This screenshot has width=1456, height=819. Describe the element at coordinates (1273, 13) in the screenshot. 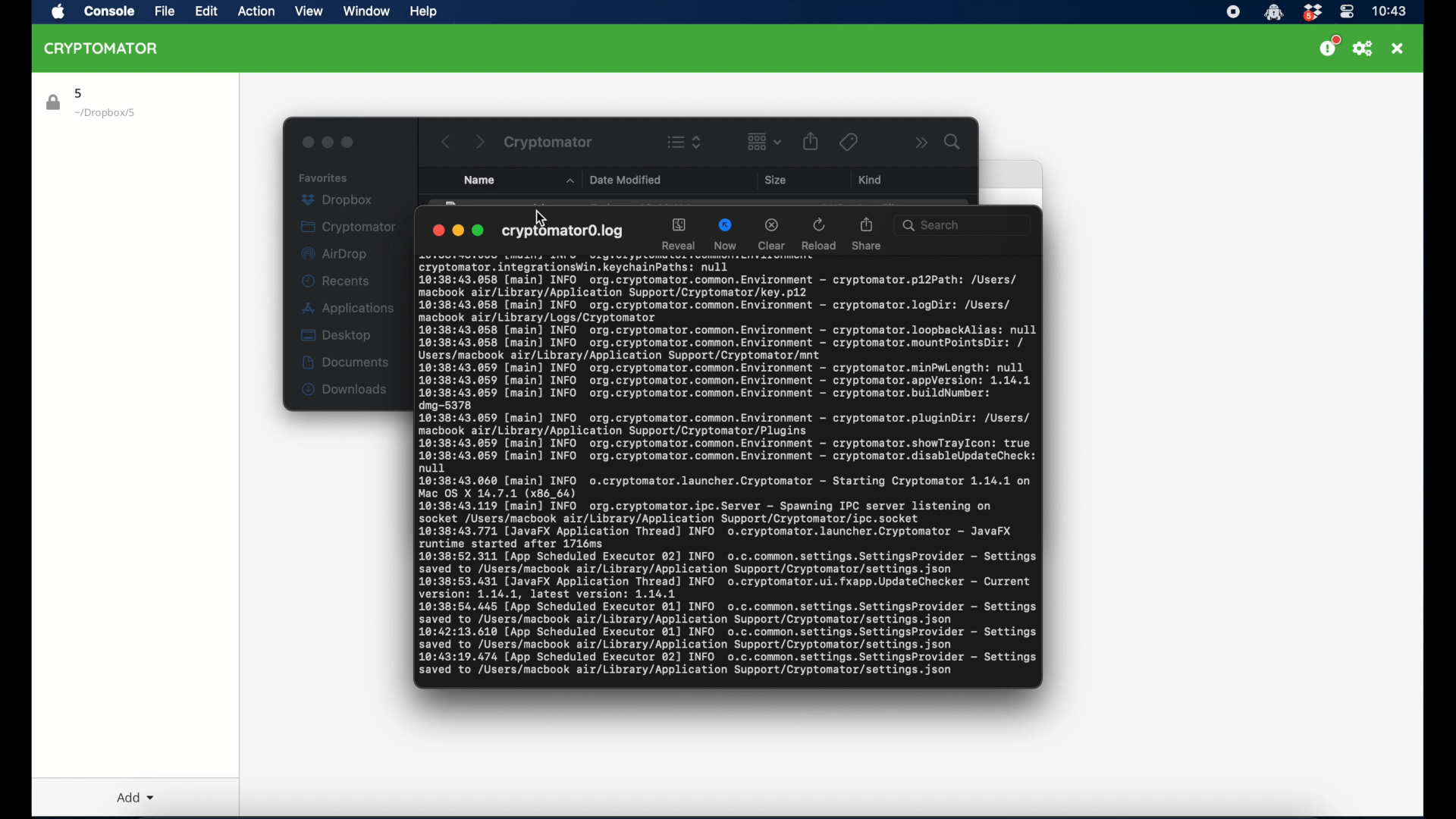

I see `cryptomator icon` at that location.